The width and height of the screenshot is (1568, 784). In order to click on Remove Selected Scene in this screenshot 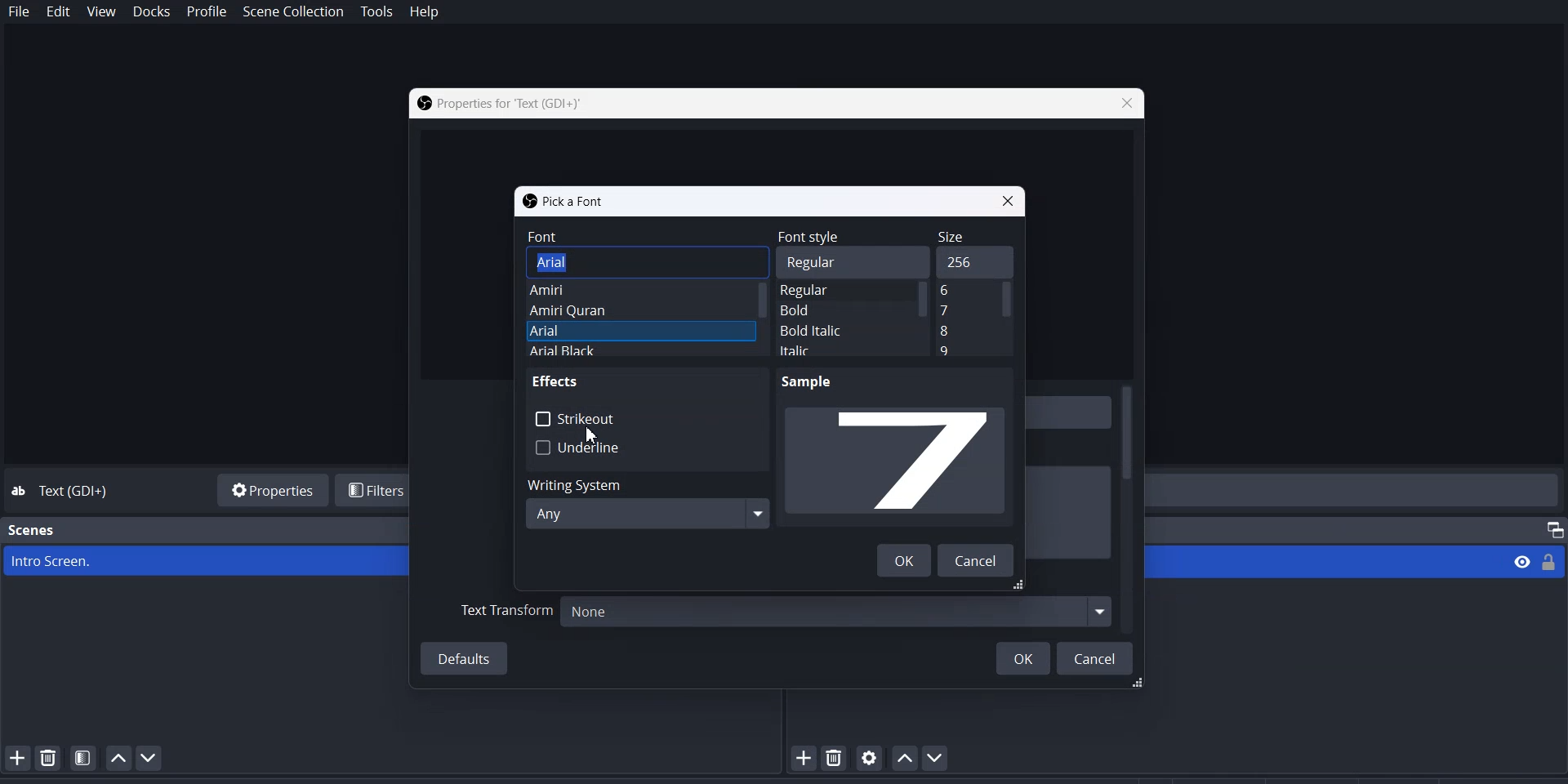, I will do `click(49, 757)`.